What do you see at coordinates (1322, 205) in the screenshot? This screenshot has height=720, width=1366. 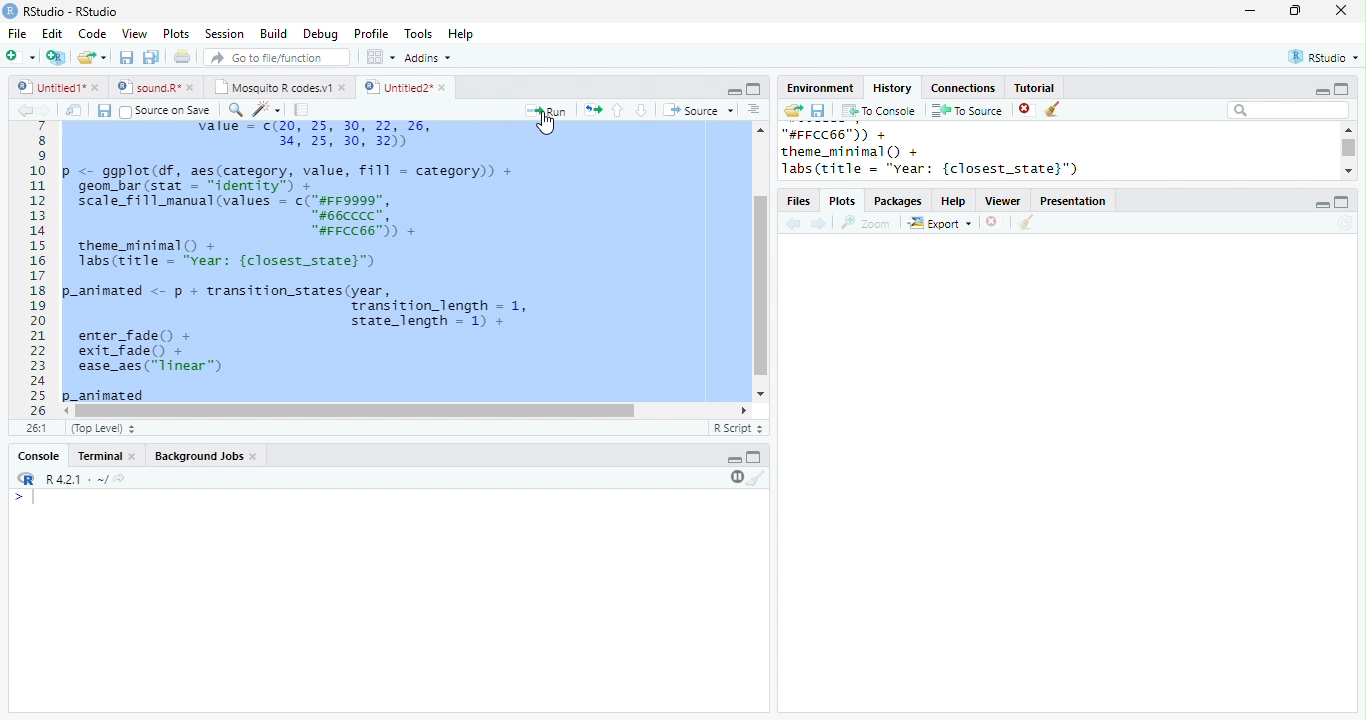 I see `minimize` at bounding box center [1322, 205].